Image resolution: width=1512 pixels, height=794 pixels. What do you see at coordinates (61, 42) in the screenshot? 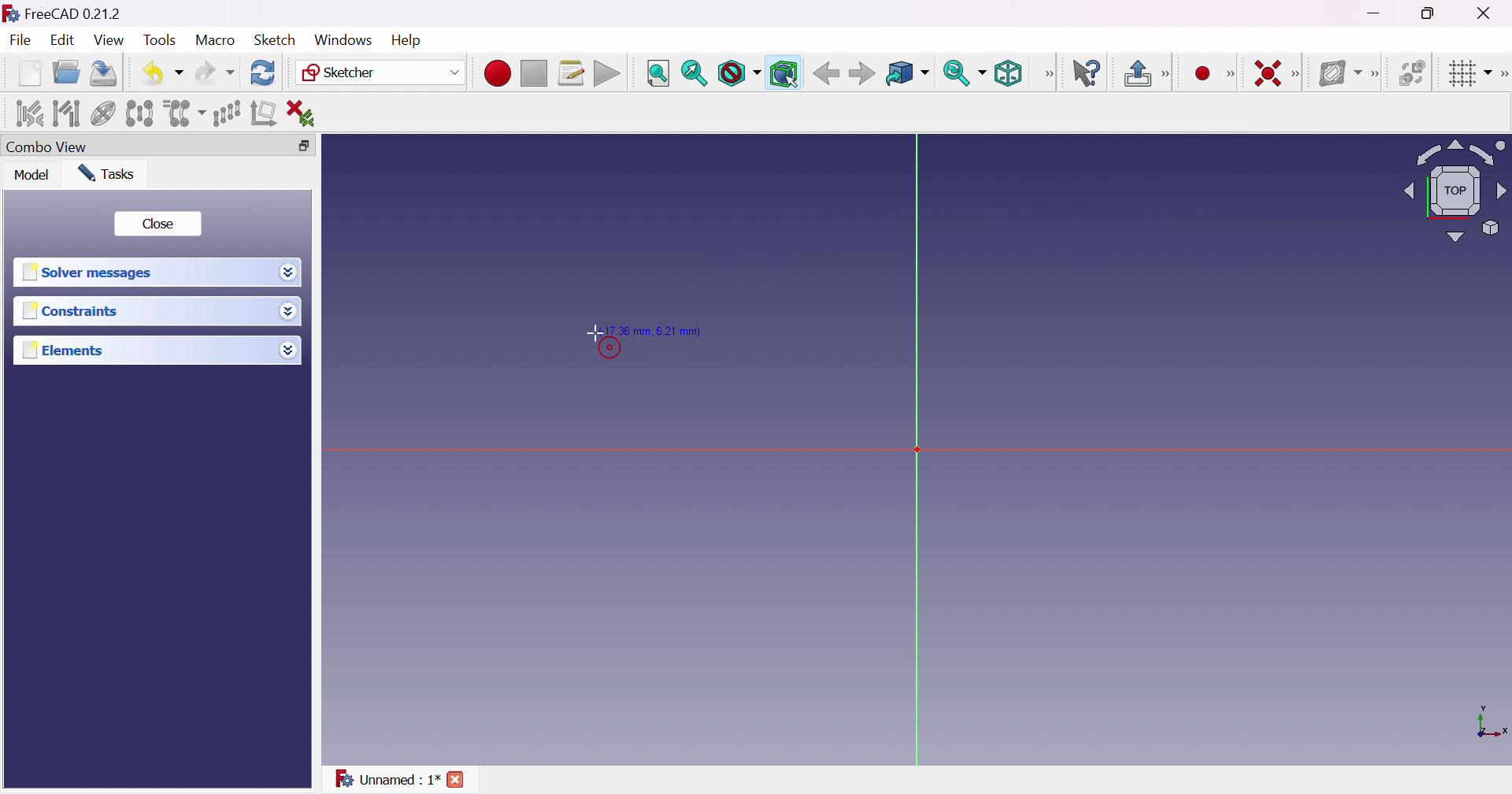
I see `Edit` at bounding box center [61, 42].